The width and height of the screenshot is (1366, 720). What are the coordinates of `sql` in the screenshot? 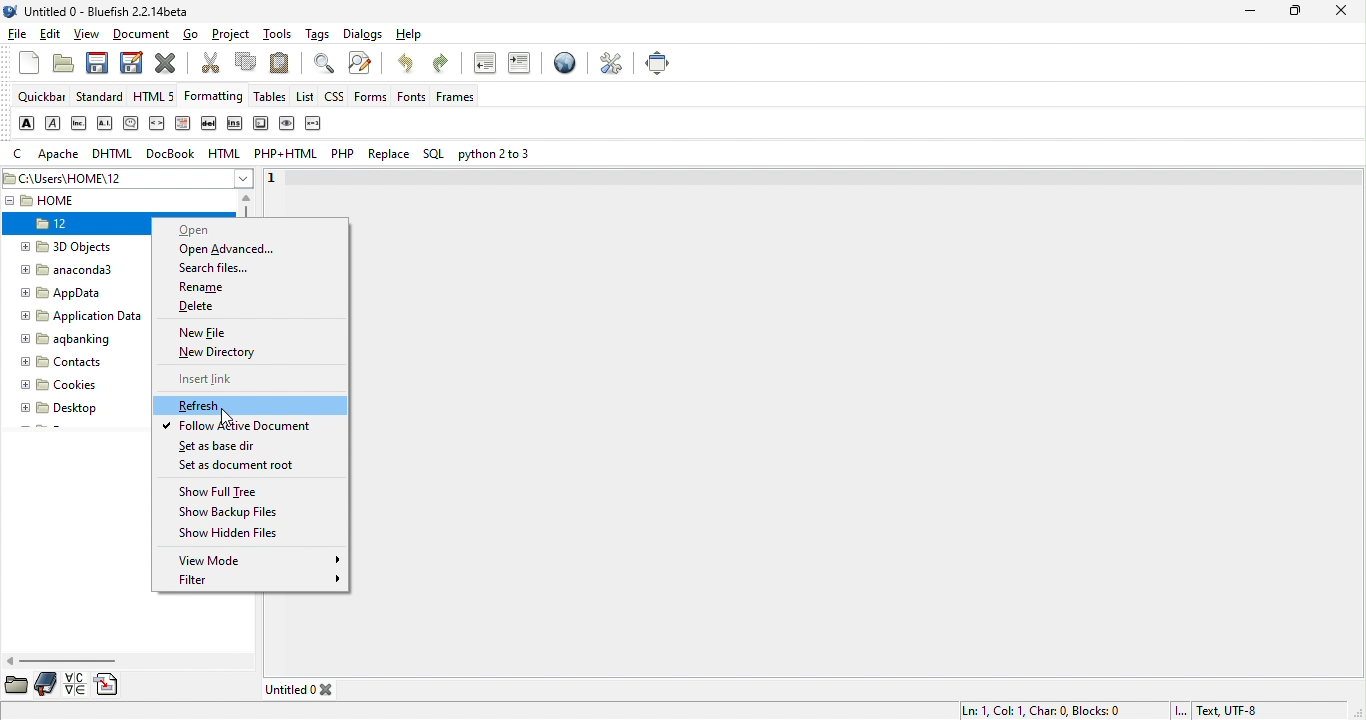 It's located at (437, 152).